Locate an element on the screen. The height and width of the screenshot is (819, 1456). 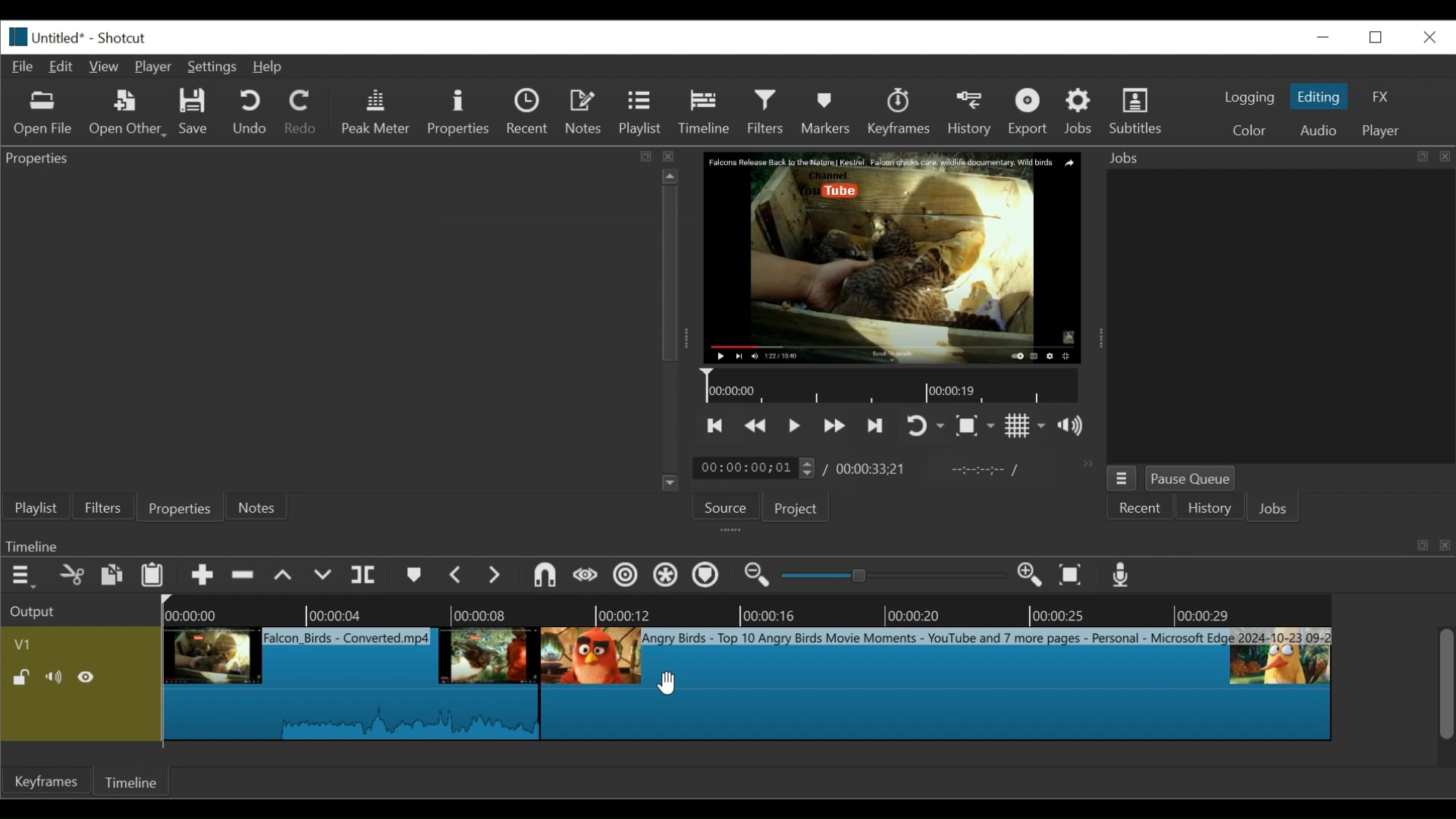
Open File is located at coordinates (43, 114).